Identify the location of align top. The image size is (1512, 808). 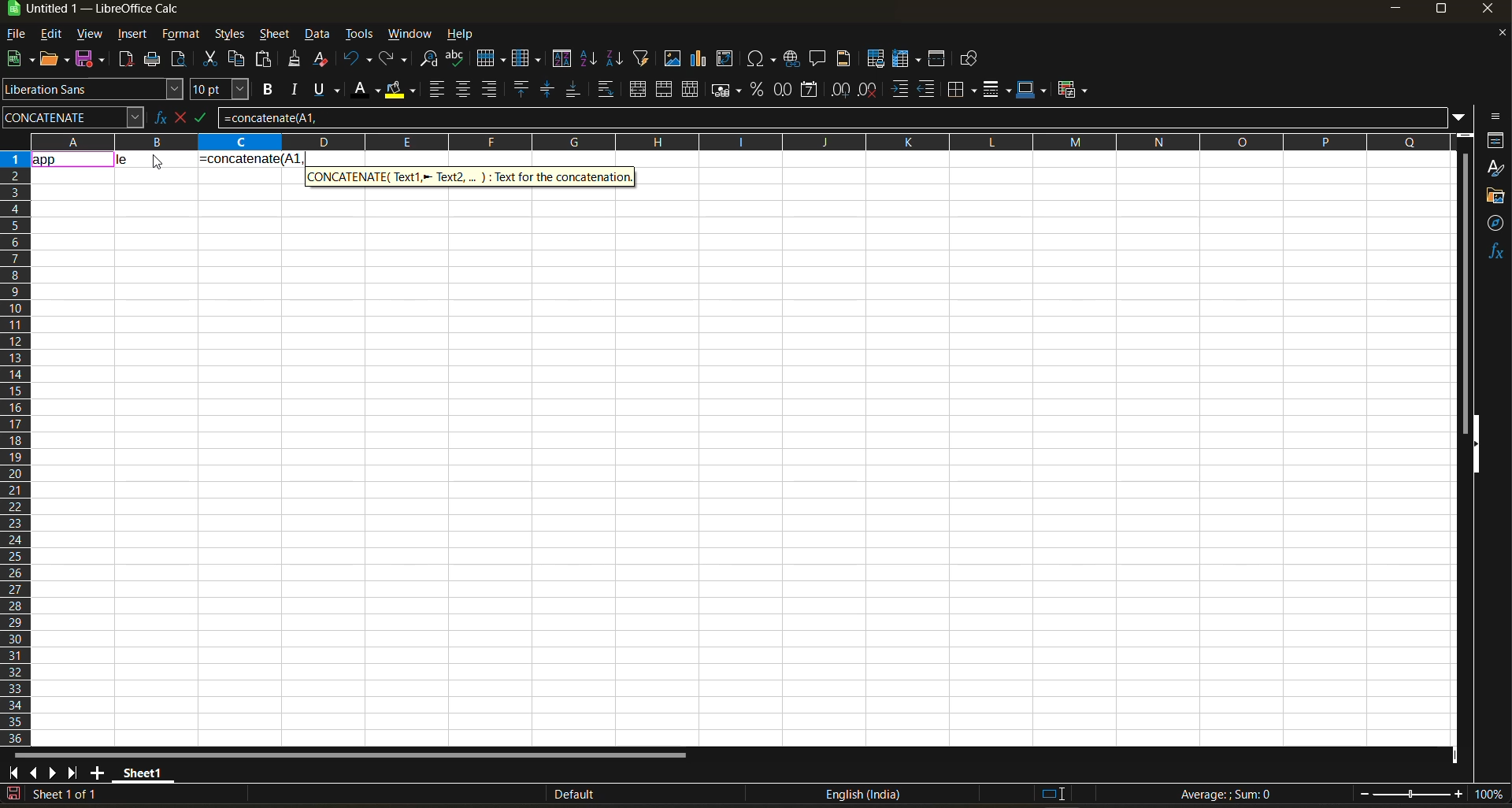
(519, 89).